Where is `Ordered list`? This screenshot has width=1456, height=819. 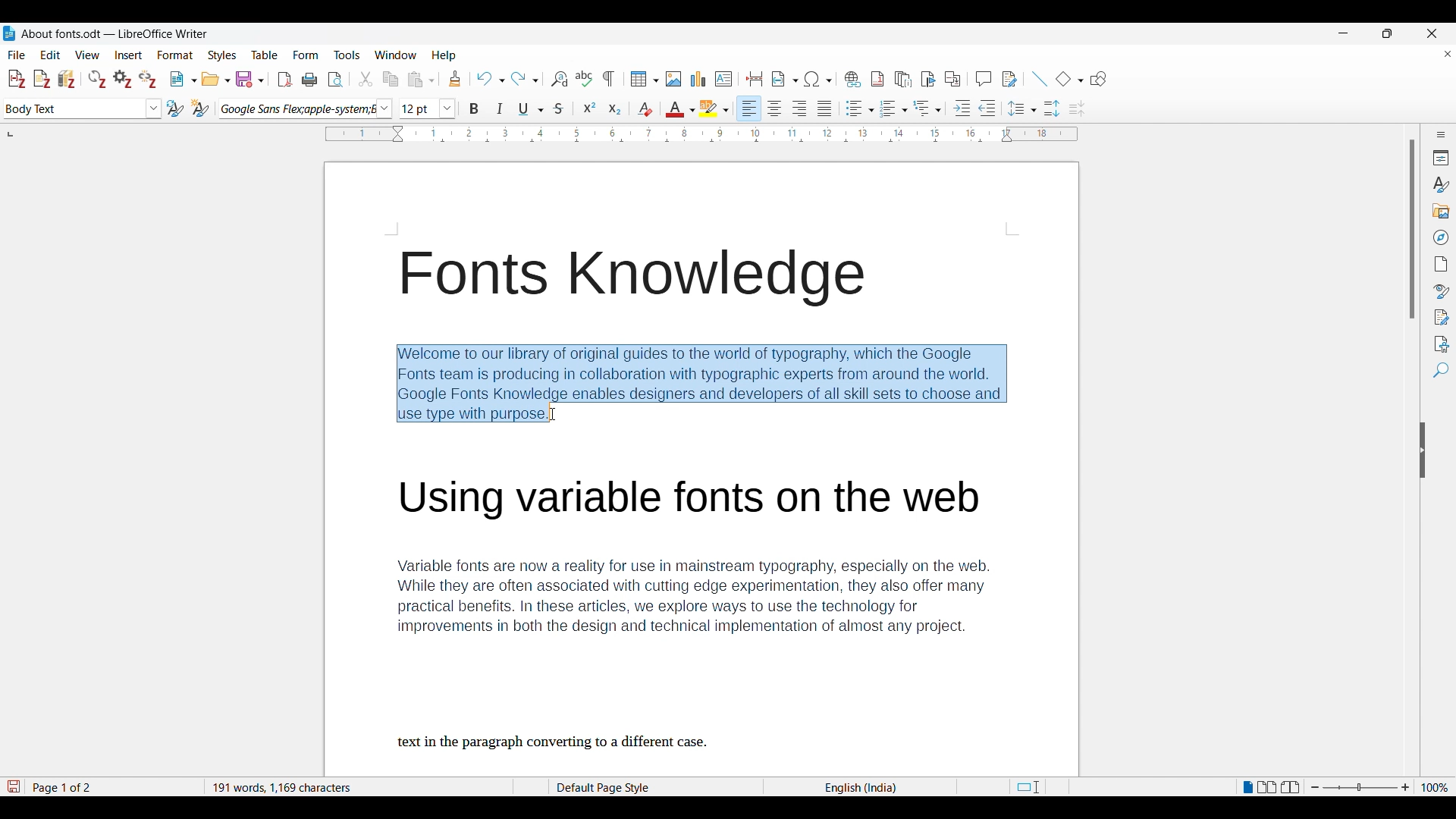 Ordered list is located at coordinates (894, 108).